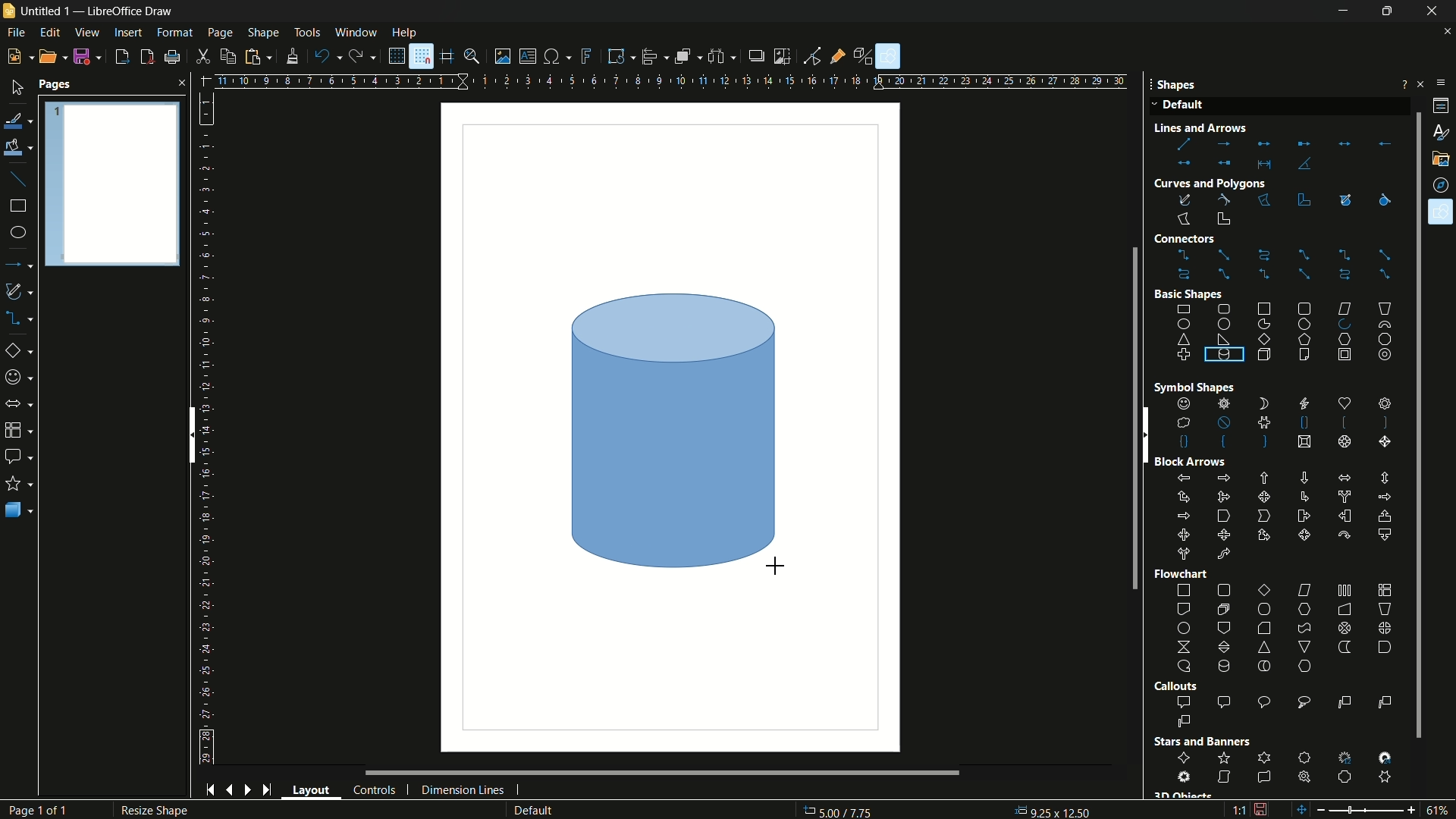 The width and height of the screenshot is (1456, 819). Describe the element at coordinates (1052, 808) in the screenshot. I see `0.00` at that location.